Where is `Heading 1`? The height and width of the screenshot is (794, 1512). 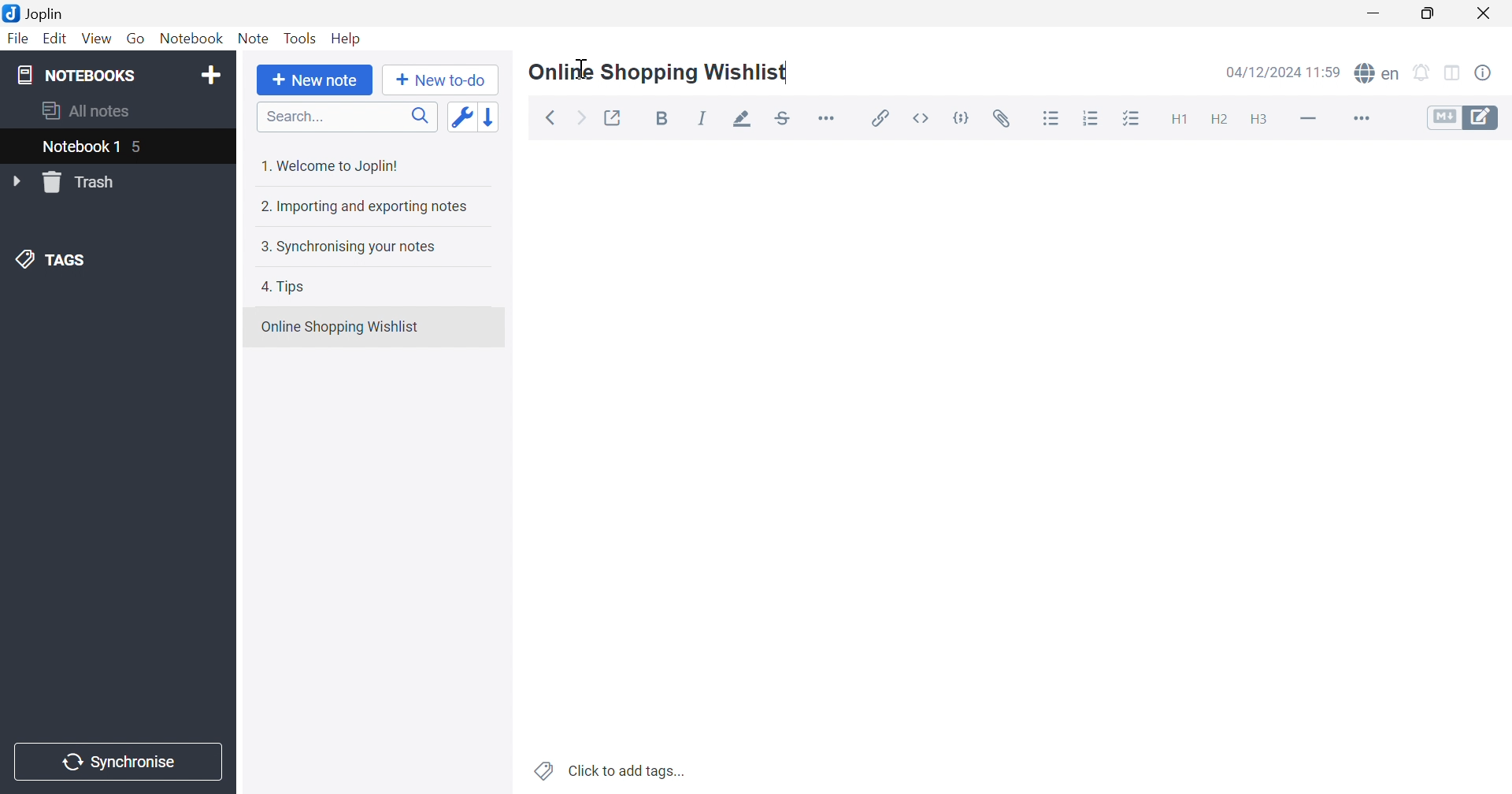 Heading 1 is located at coordinates (1182, 119).